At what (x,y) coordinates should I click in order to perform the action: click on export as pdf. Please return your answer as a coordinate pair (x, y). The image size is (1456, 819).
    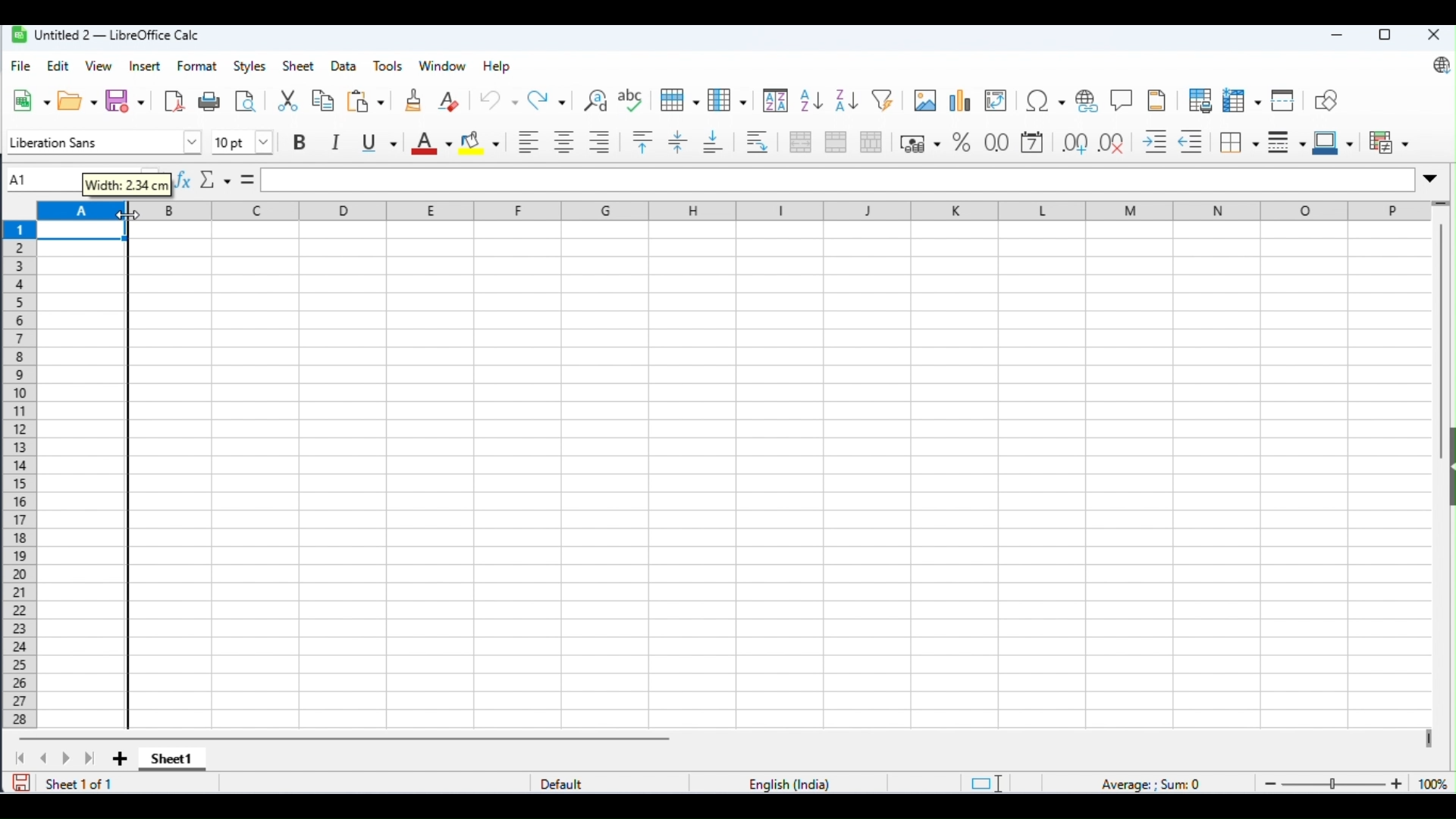
    Looking at the image, I should click on (174, 99).